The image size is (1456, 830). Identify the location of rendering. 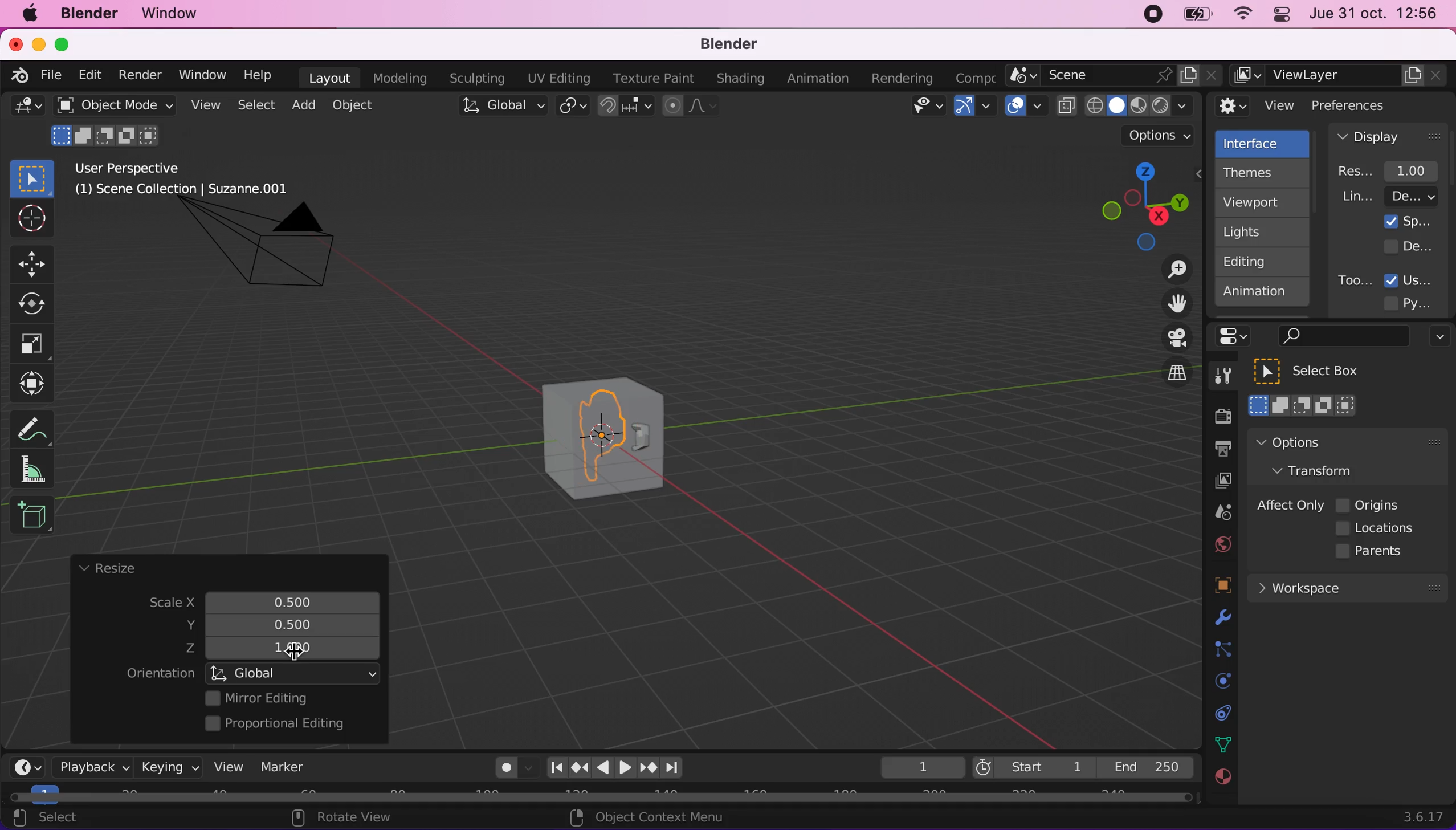
(903, 79).